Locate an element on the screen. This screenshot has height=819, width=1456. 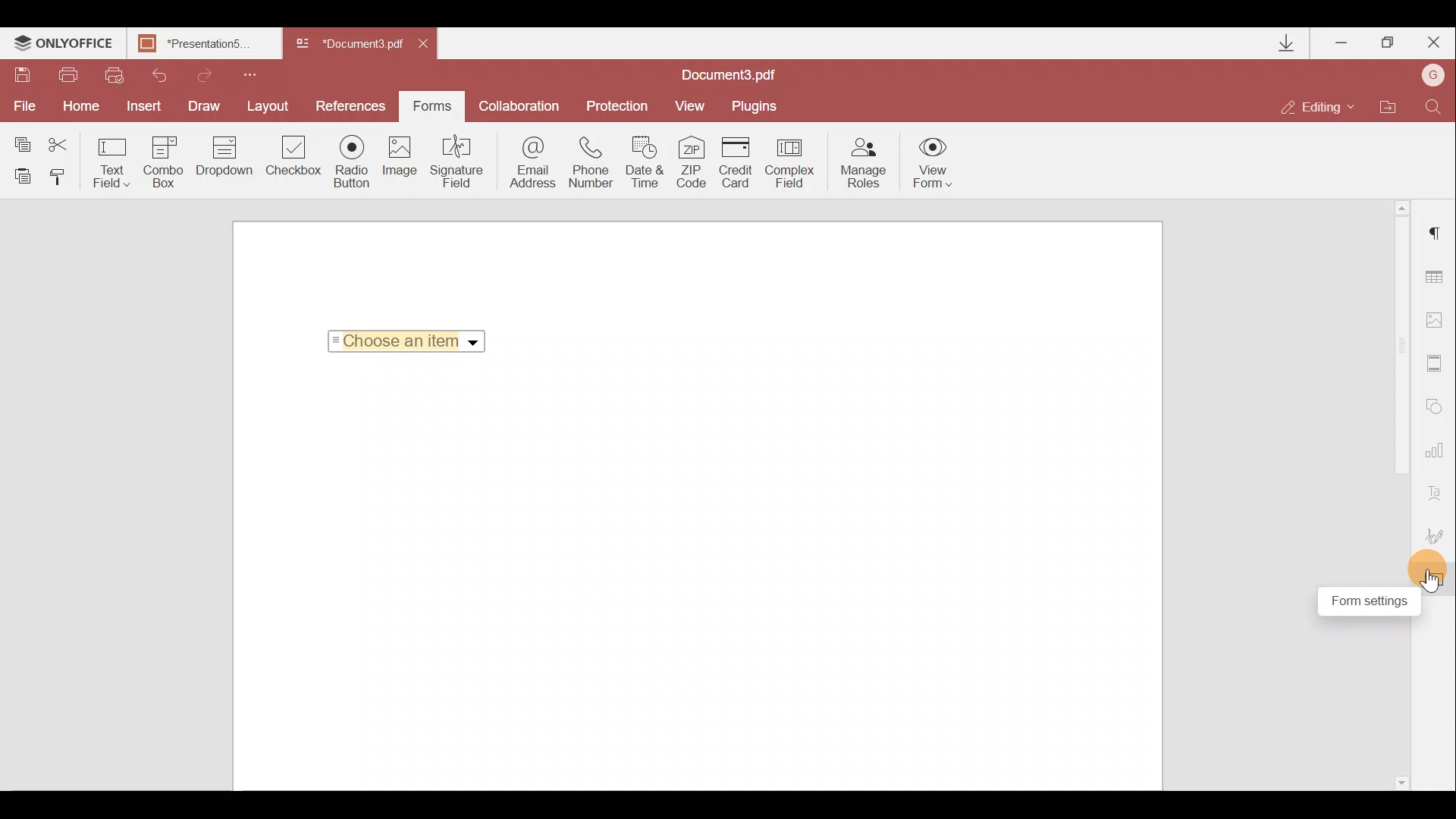
Manage roles is located at coordinates (863, 163).